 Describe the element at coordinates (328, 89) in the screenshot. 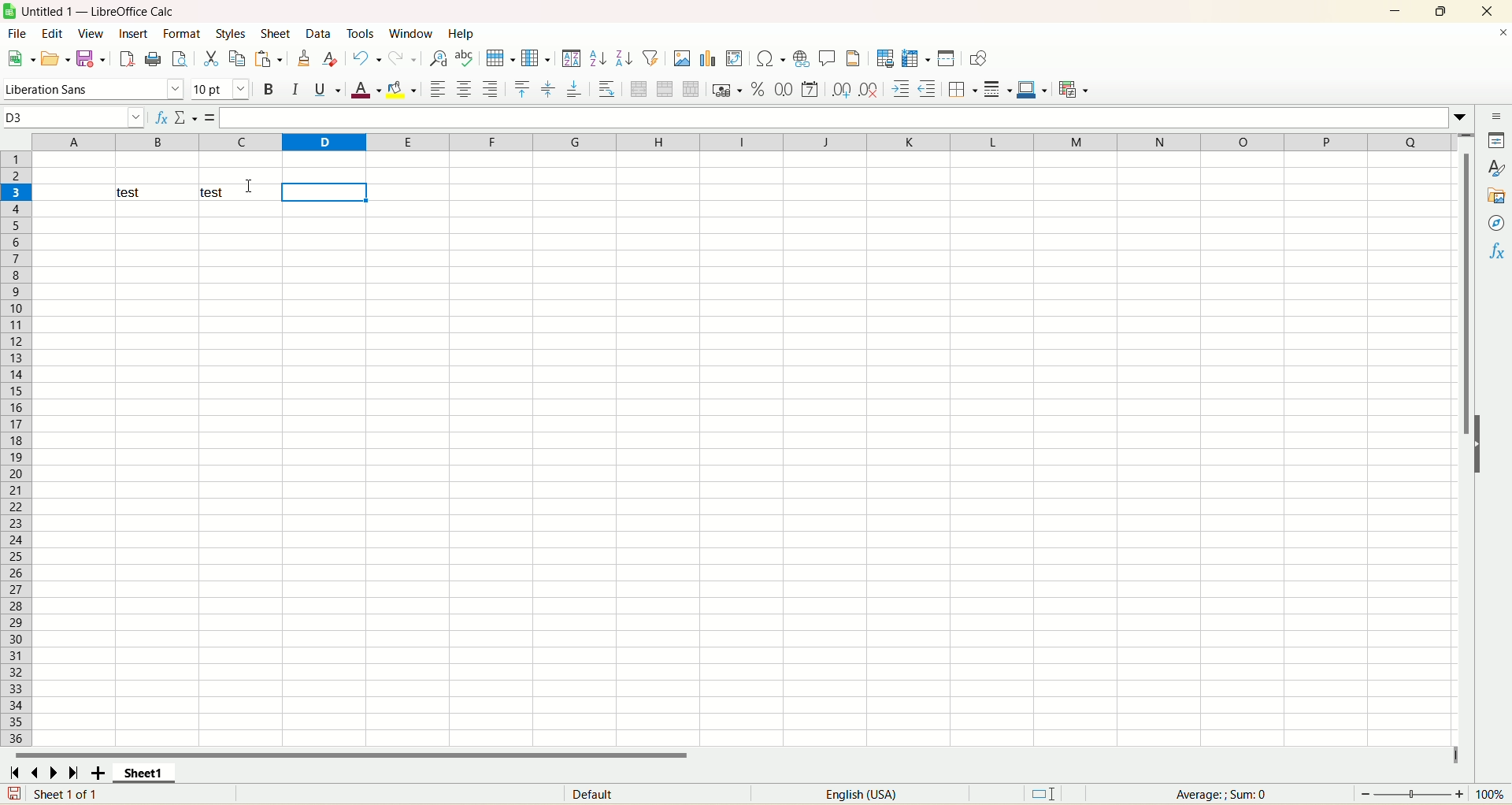

I see `underline` at that location.